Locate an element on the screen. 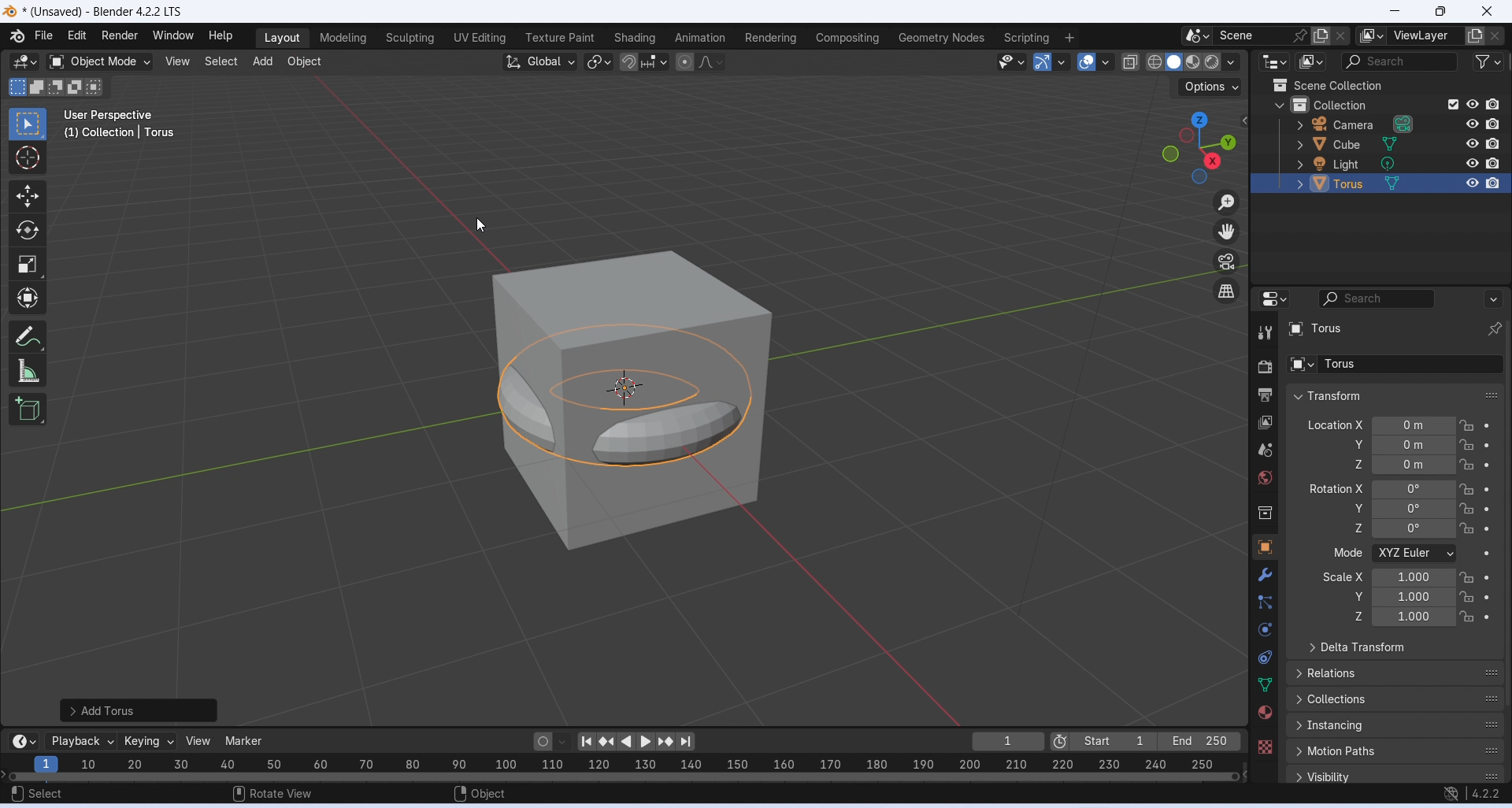 The image size is (1512, 808). Output is located at coordinates (1263, 395).